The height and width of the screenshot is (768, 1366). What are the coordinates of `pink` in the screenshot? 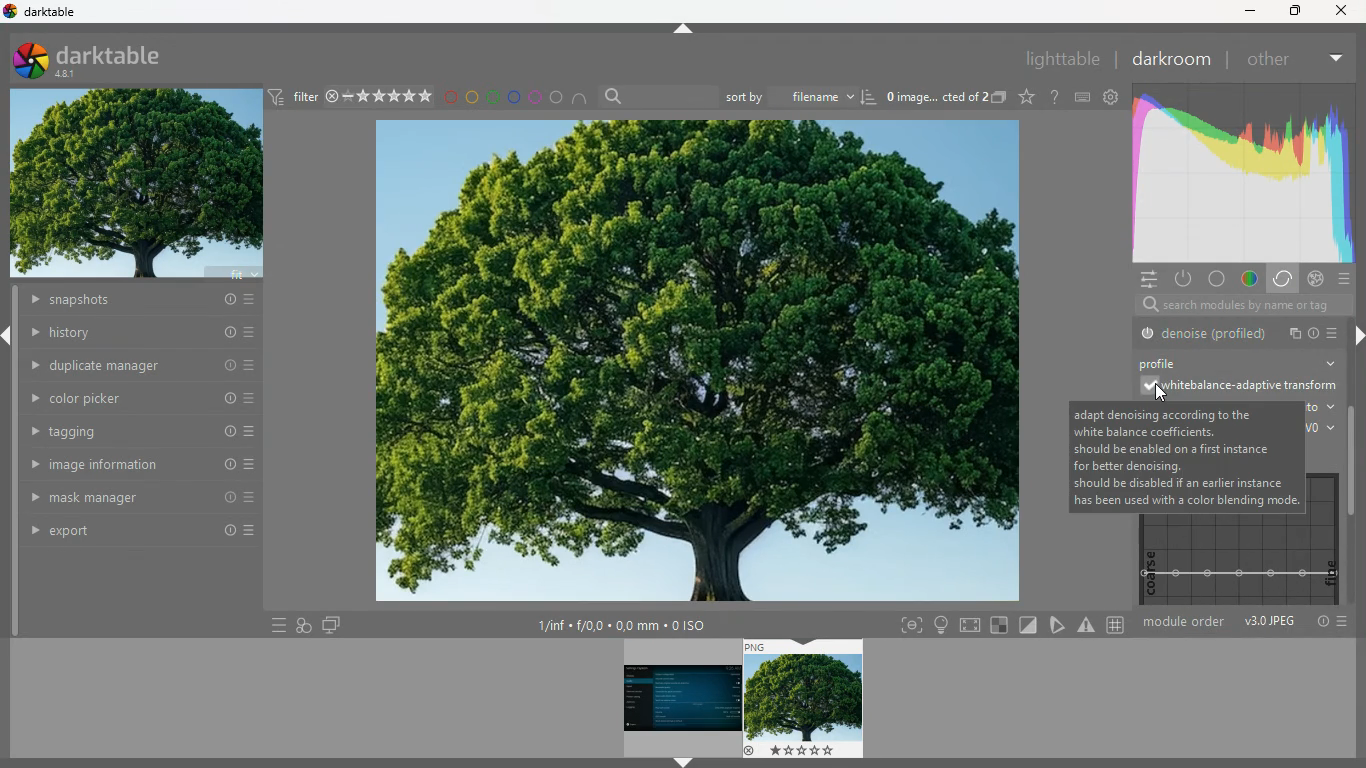 It's located at (535, 97).